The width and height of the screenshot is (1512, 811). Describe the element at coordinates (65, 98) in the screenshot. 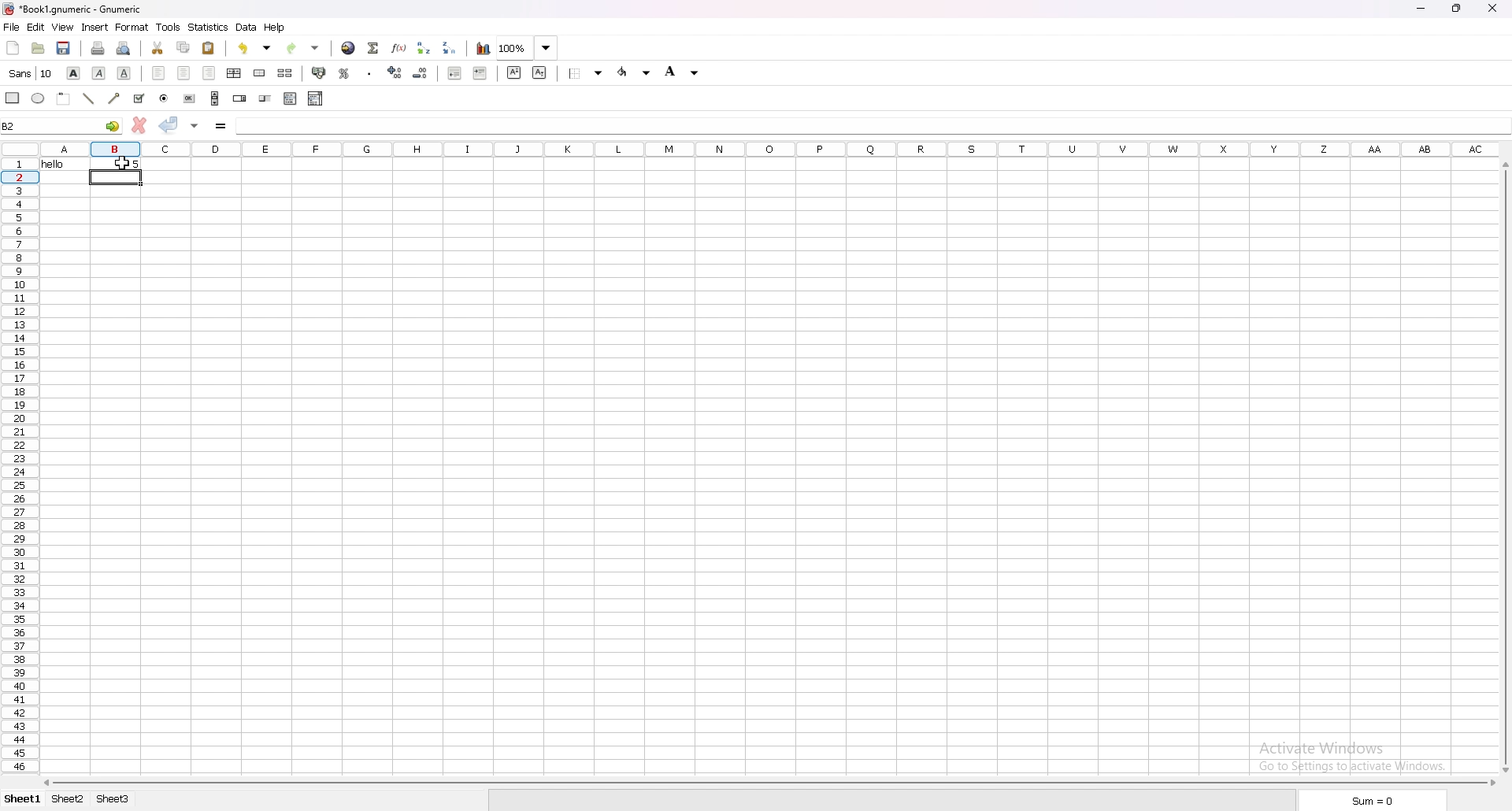

I see `create frame` at that location.